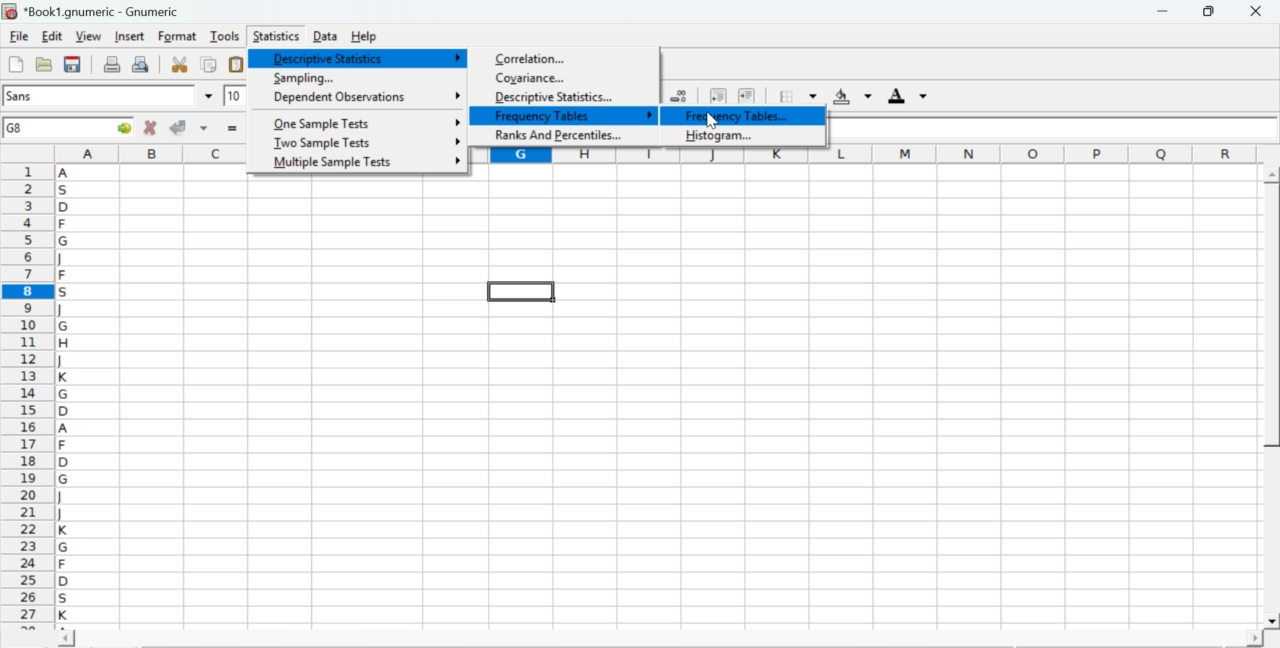 The image size is (1280, 648). I want to click on close, so click(1254, 11).